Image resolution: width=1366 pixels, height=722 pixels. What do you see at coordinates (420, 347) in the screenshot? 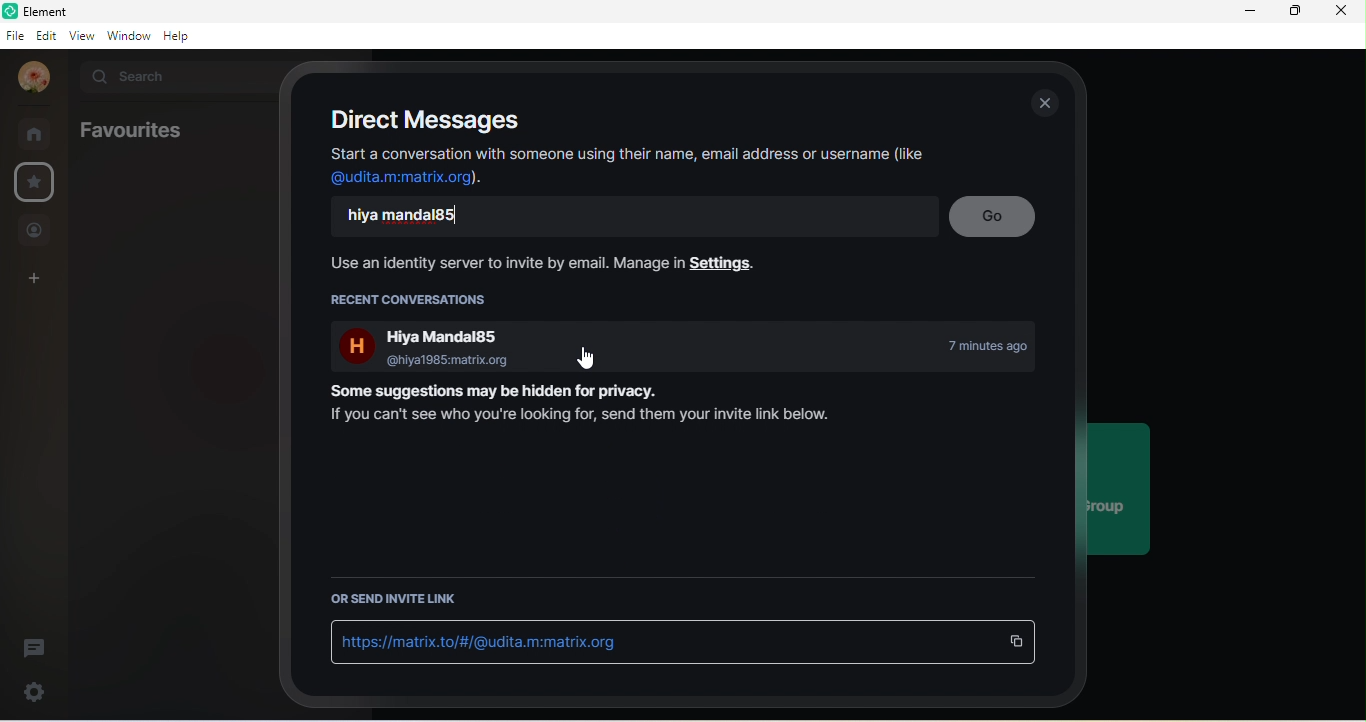
I see `hiya mandal85 @hiya1985:matrix.org` at bounding box center [420, 347].